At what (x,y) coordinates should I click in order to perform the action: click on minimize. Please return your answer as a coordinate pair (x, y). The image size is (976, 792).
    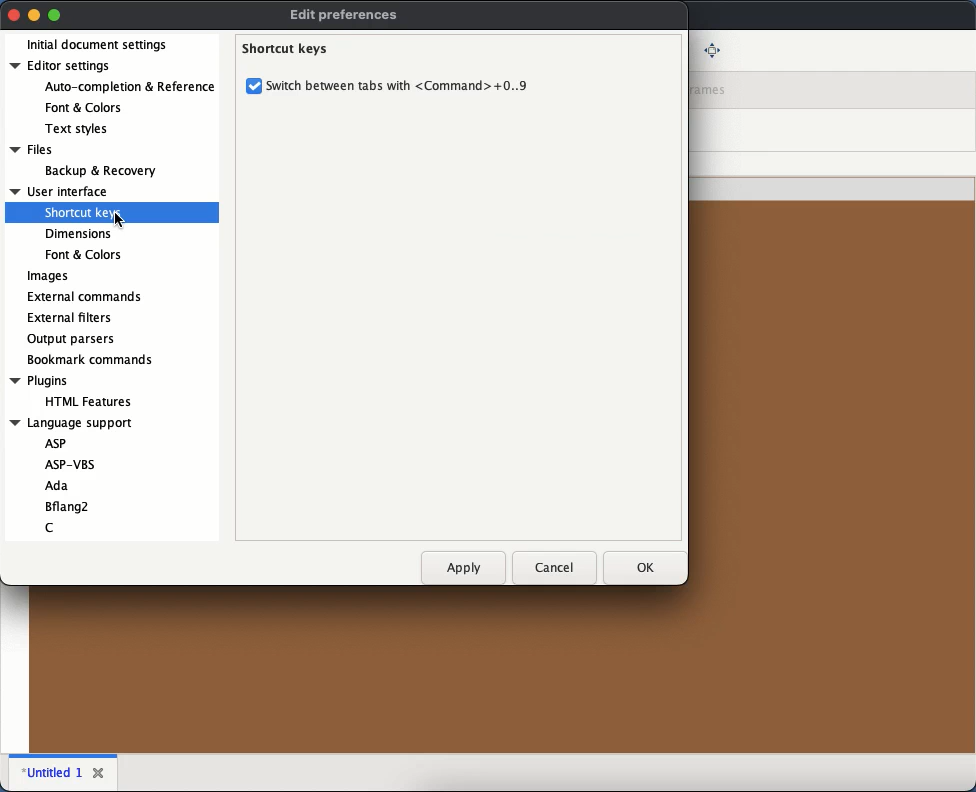
    Looking at the image, I should click on (34, 14).